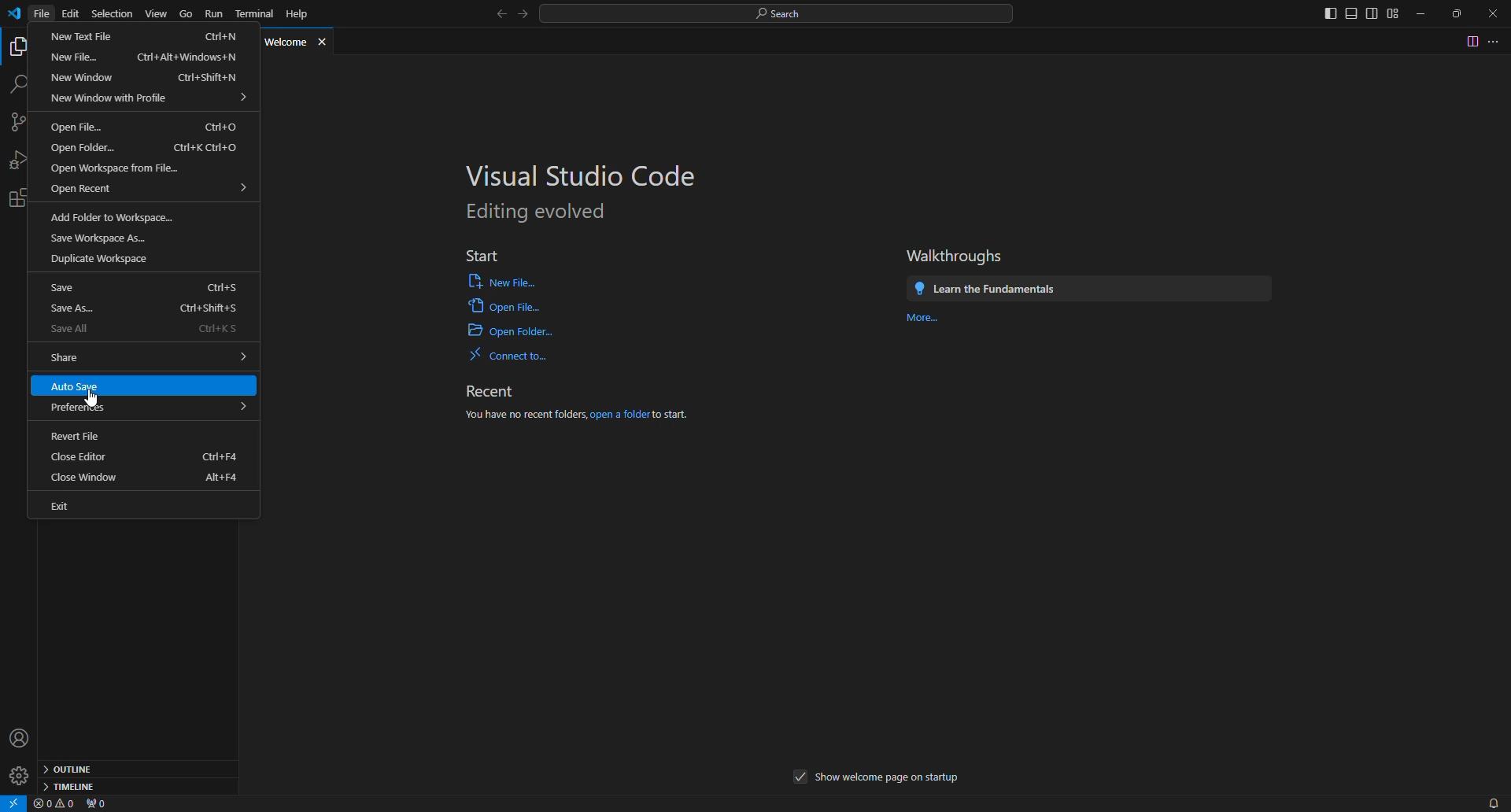 The width and height of the screenshot is (1511, 812). What do you see at coordinates (79, 127) in the screenshot?
I see `open file` at bounding box center [79, 127].